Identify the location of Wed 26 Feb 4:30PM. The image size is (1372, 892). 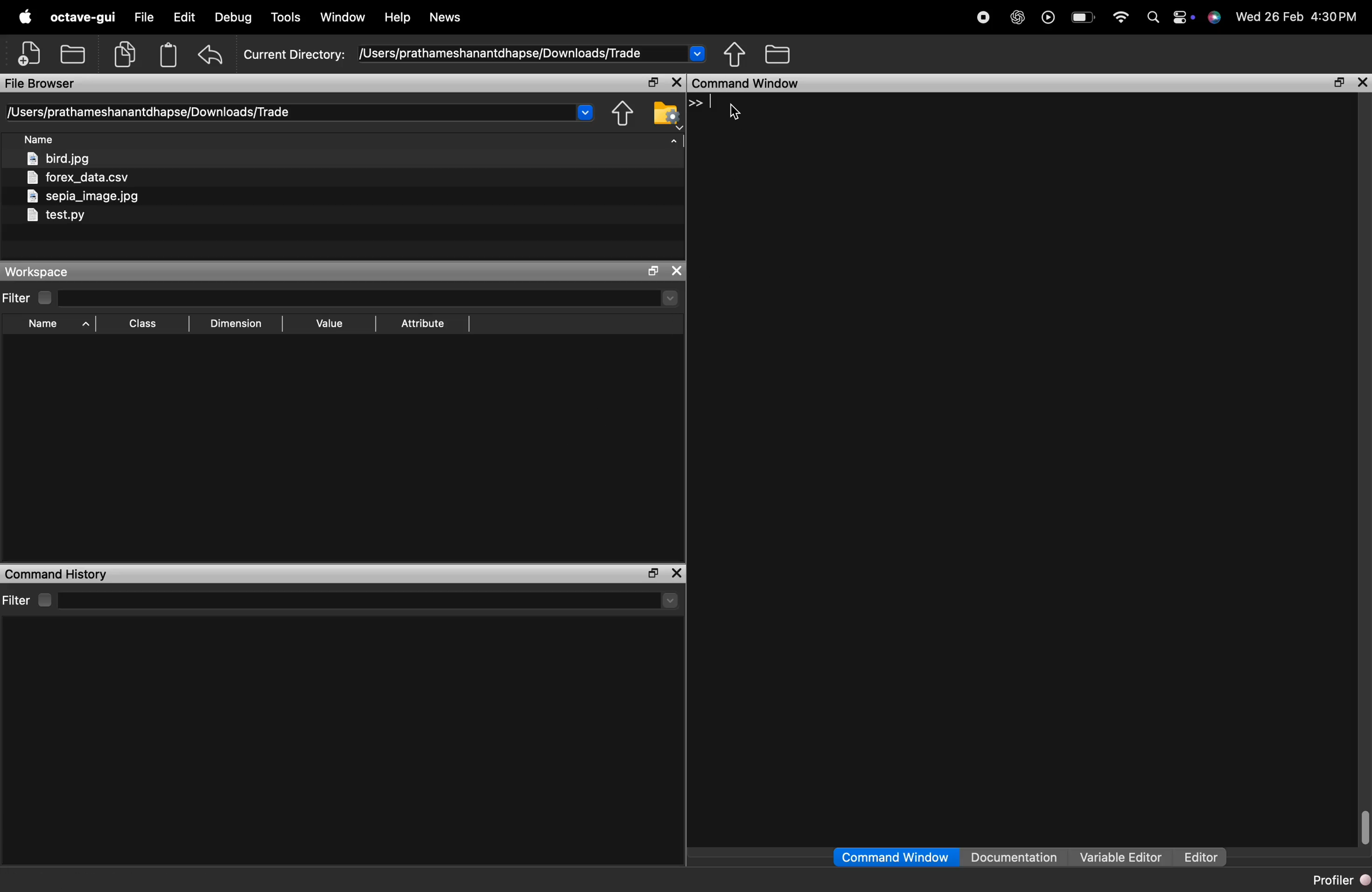
(1297, 17).